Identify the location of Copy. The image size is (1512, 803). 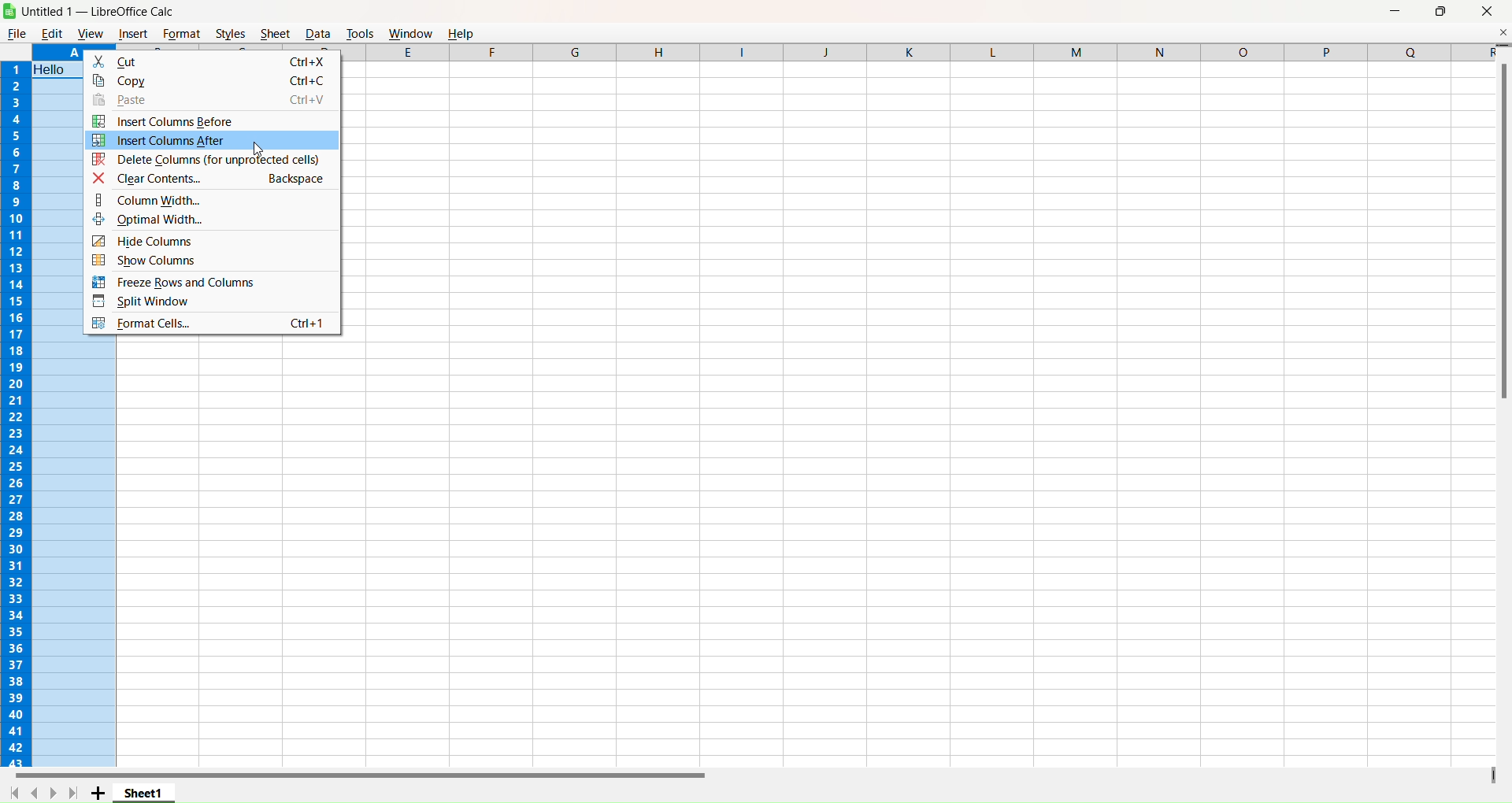
(213, 80).